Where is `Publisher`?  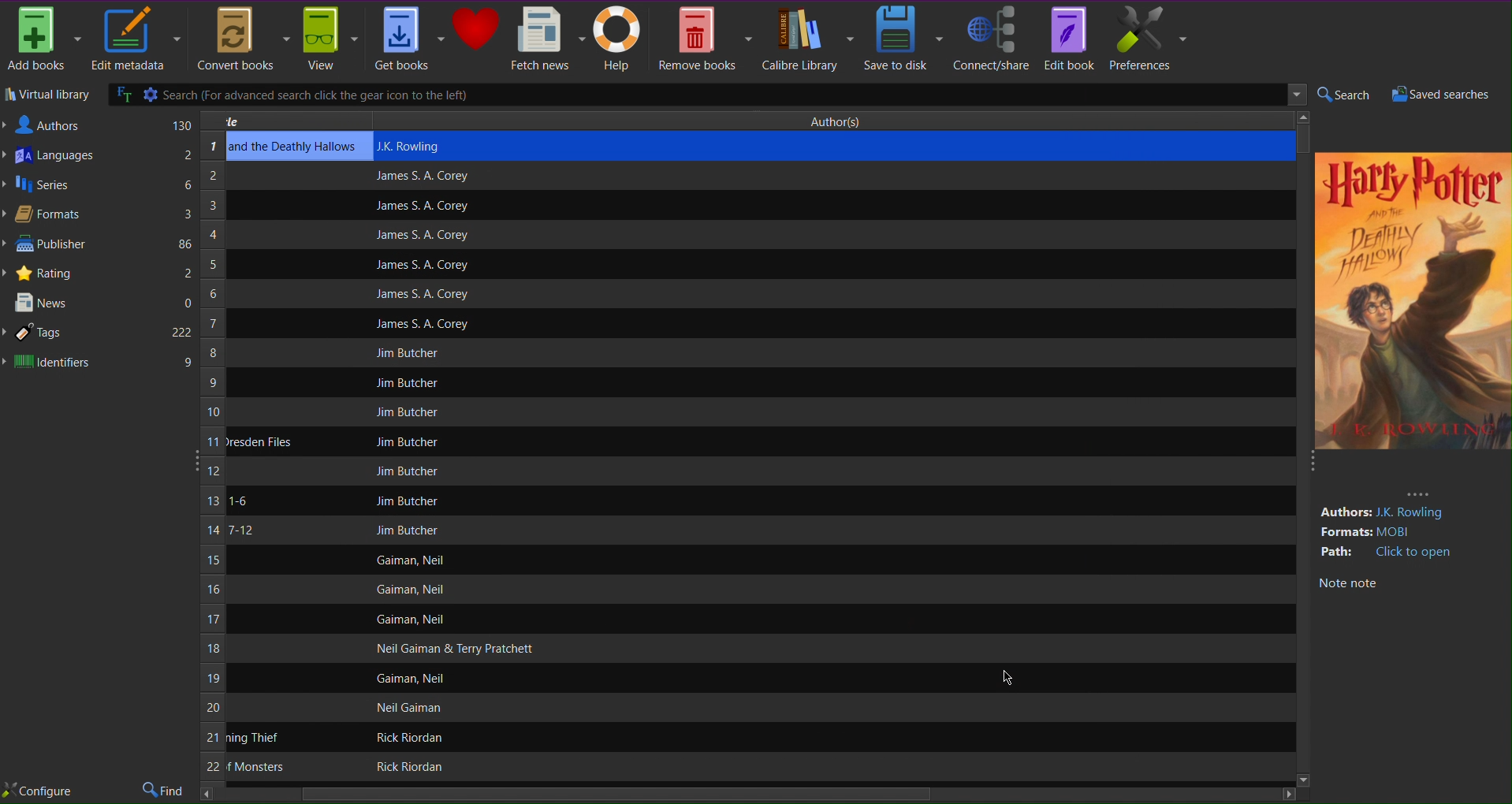 Publisher is located at coordinates (99, 244).